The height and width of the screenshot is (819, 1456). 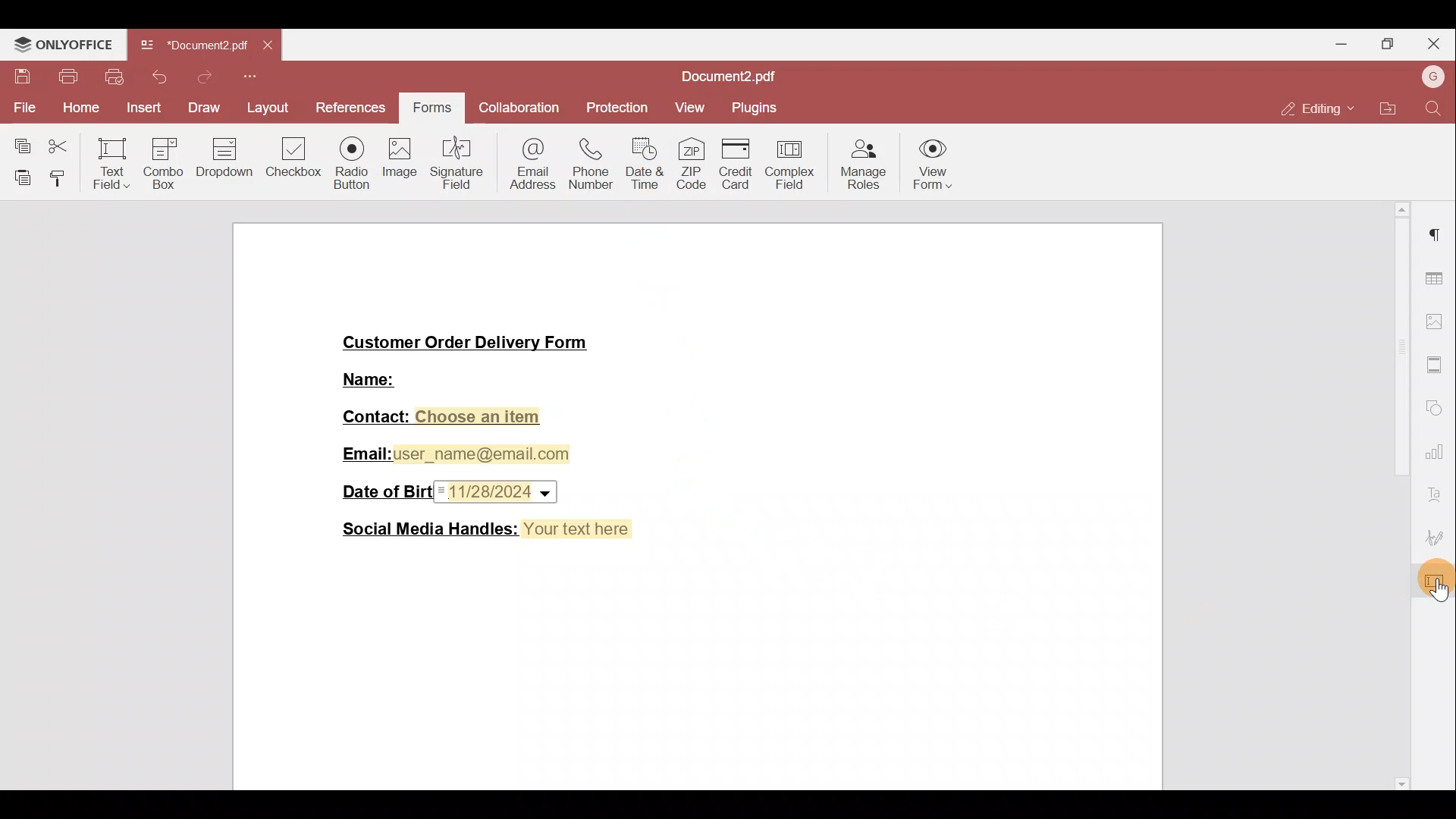 I want to click on View form, so click(x=930, y=168).